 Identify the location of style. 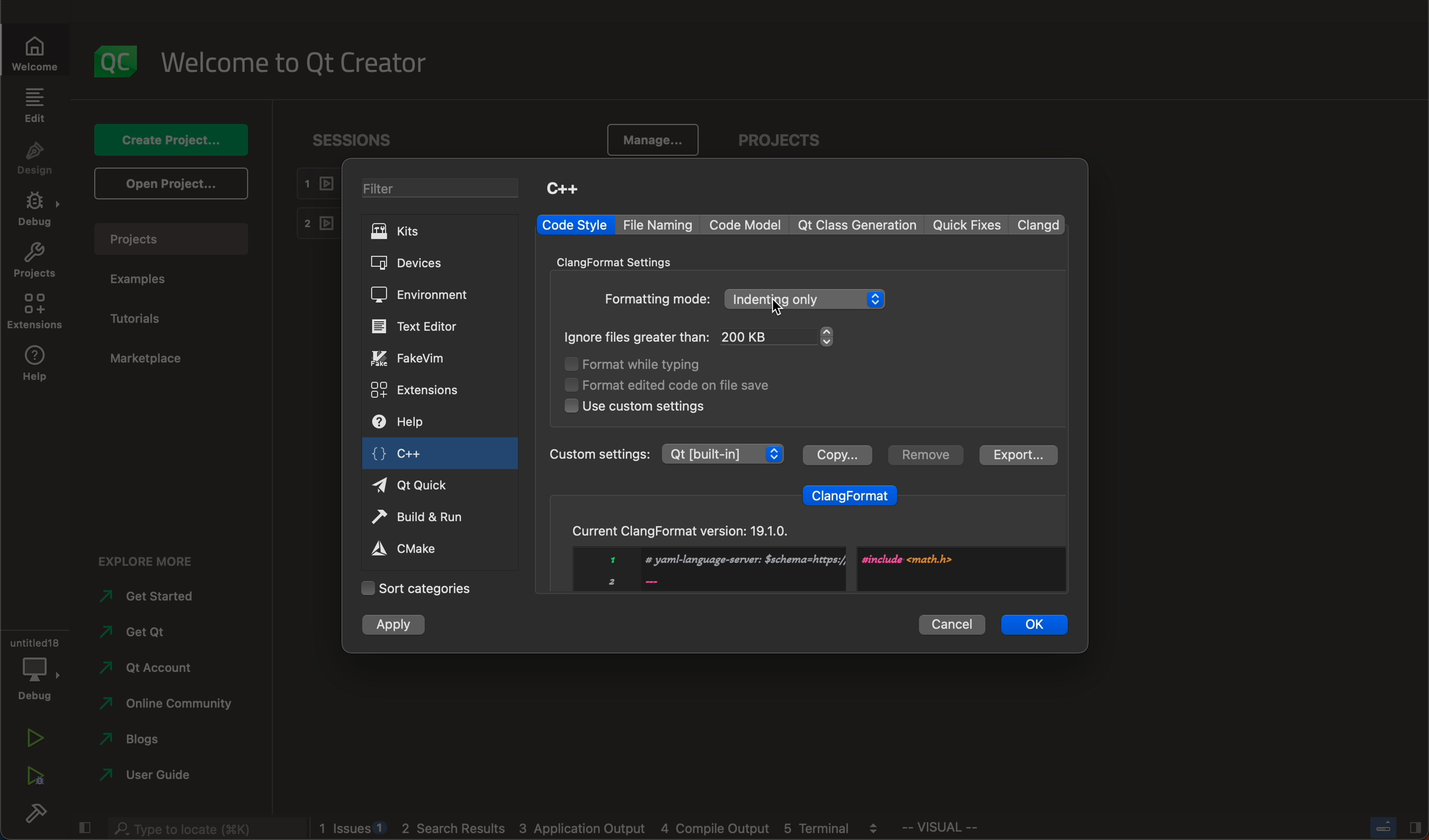
(574, 225).